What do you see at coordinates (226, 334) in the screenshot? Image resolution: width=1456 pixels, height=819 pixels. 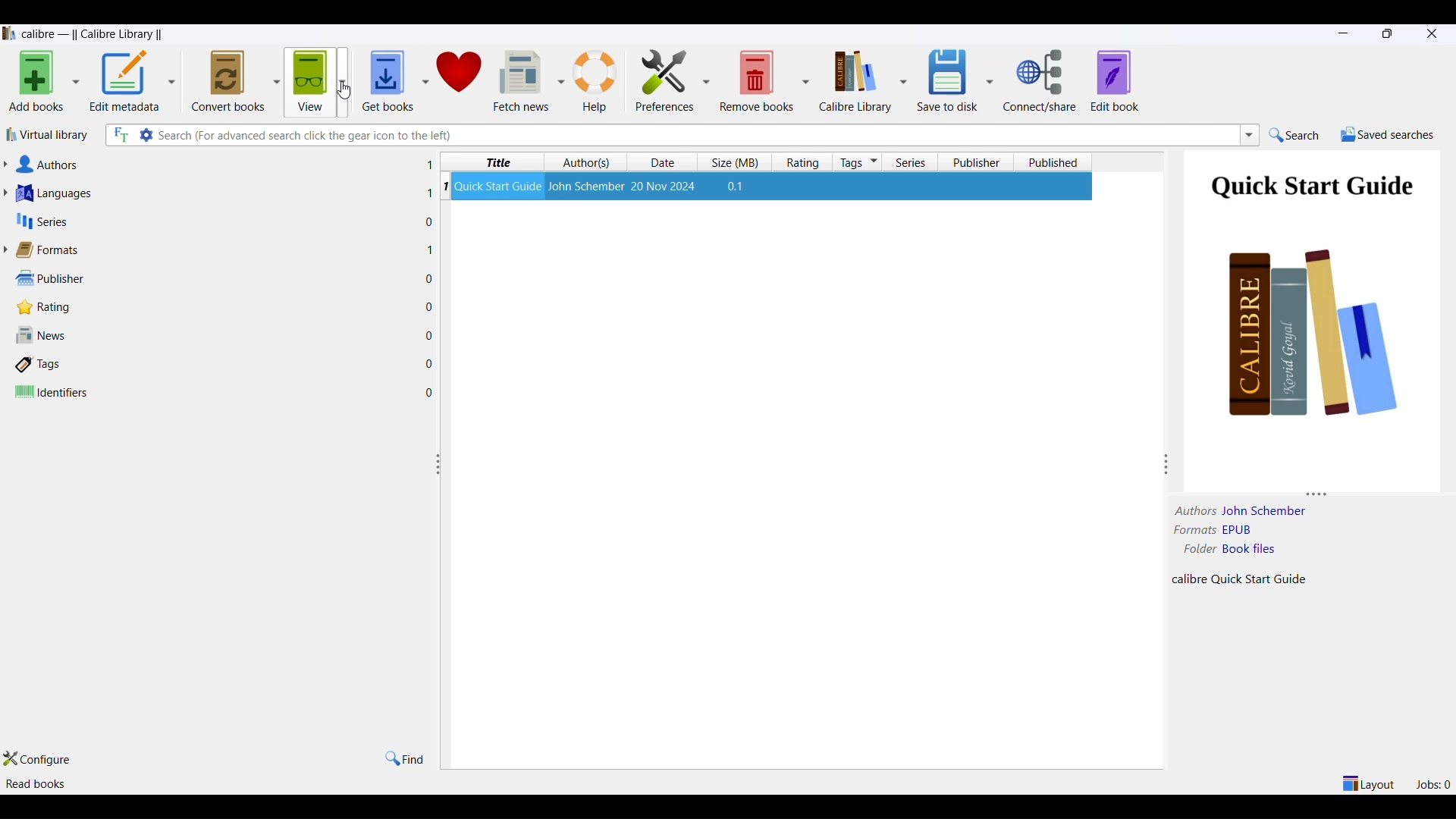 I see `news ` at bounding box center [226, 334].